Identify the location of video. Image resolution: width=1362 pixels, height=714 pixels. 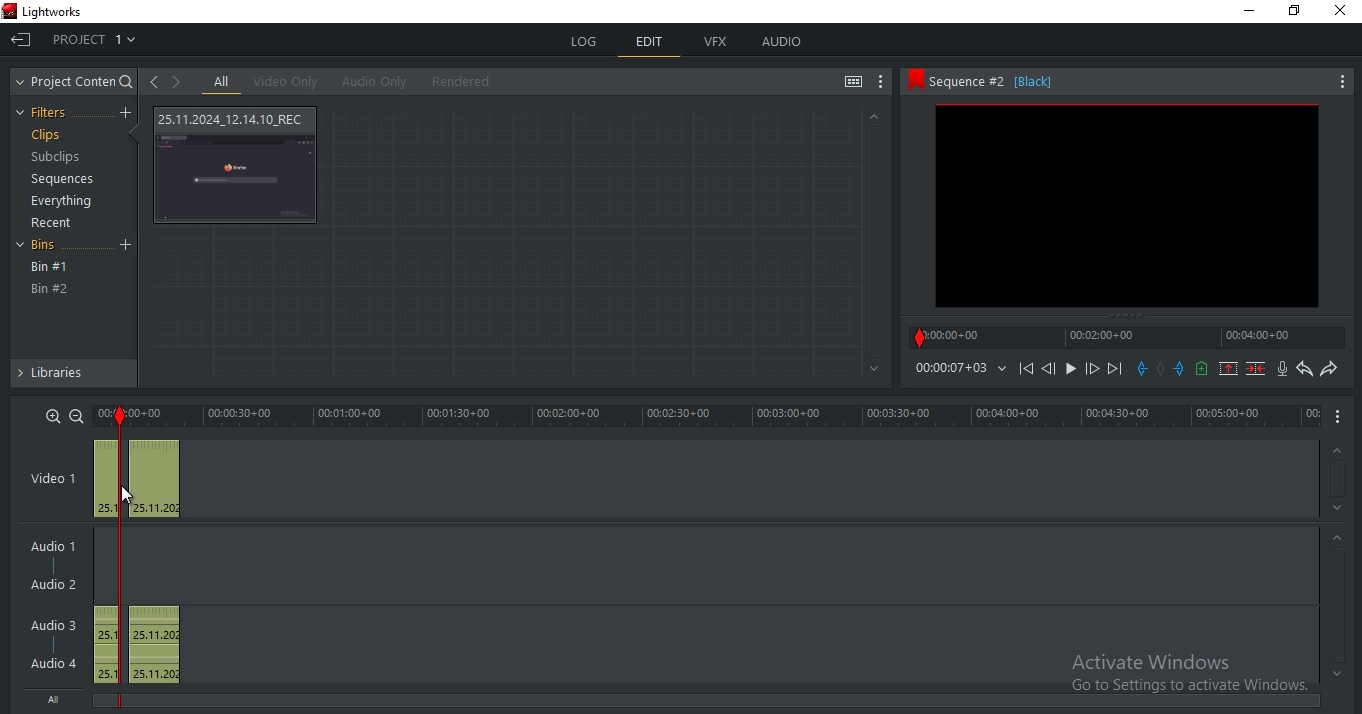
(238, 165).